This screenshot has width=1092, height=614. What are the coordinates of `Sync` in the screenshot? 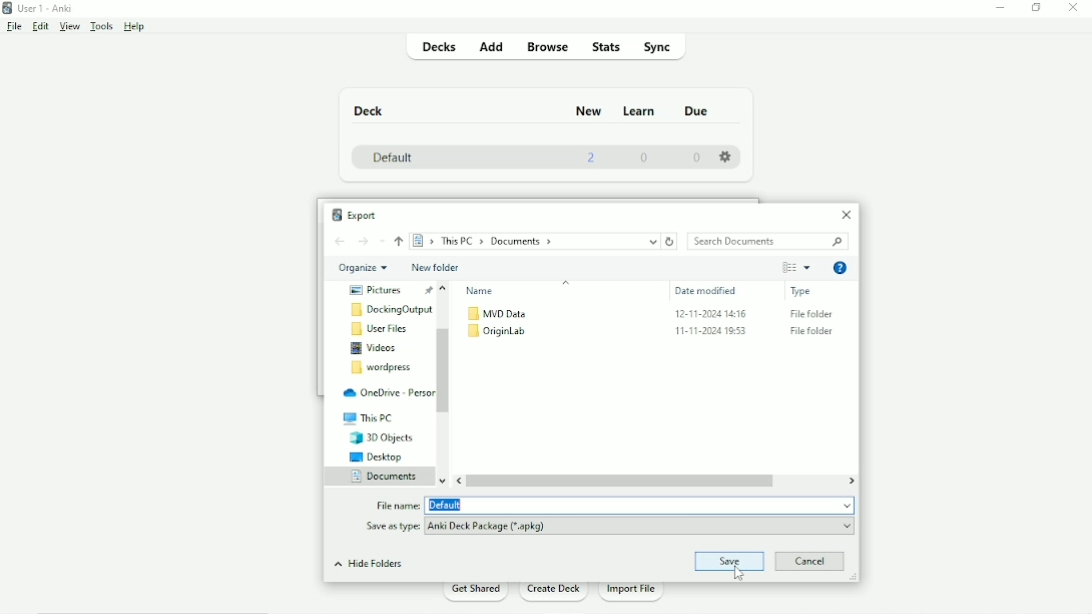 It's located at (657, 46).